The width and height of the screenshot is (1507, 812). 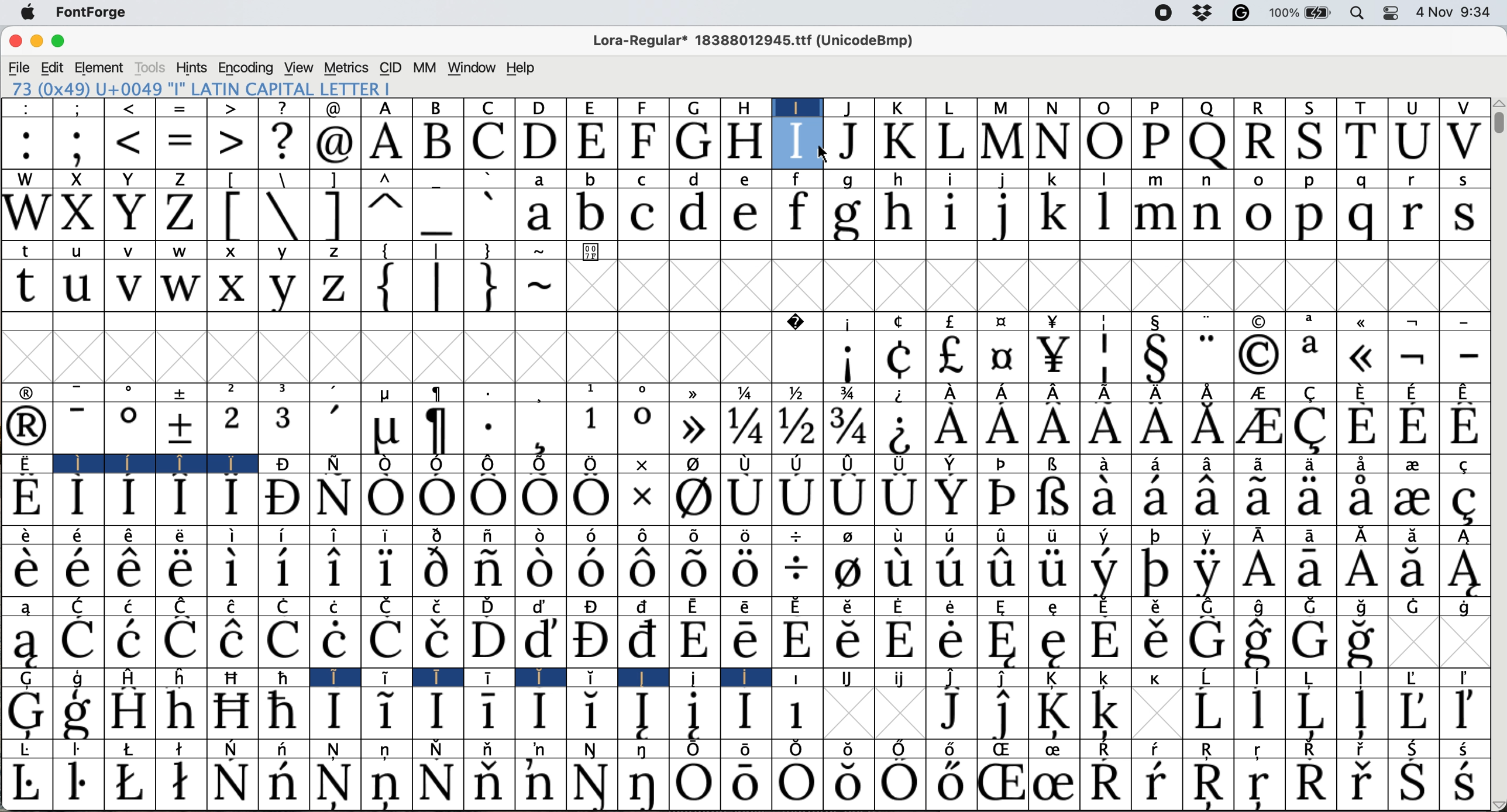 What do you see at coordinates (850, 394) in the screenshot?
I see `3/4` at bounding box center [850, 394].